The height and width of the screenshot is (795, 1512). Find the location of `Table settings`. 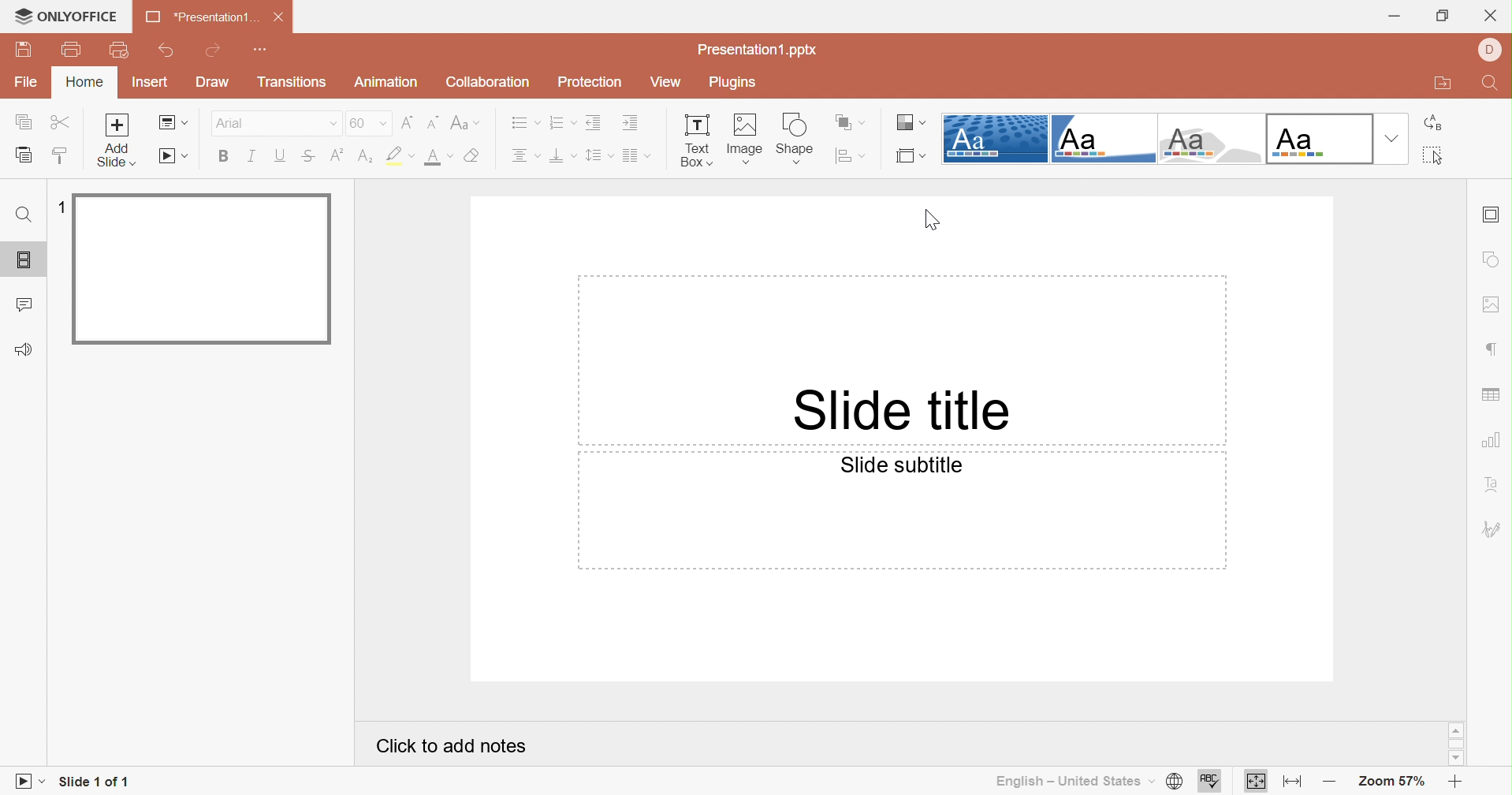

Table settings is located at coordinates (1492, 396).